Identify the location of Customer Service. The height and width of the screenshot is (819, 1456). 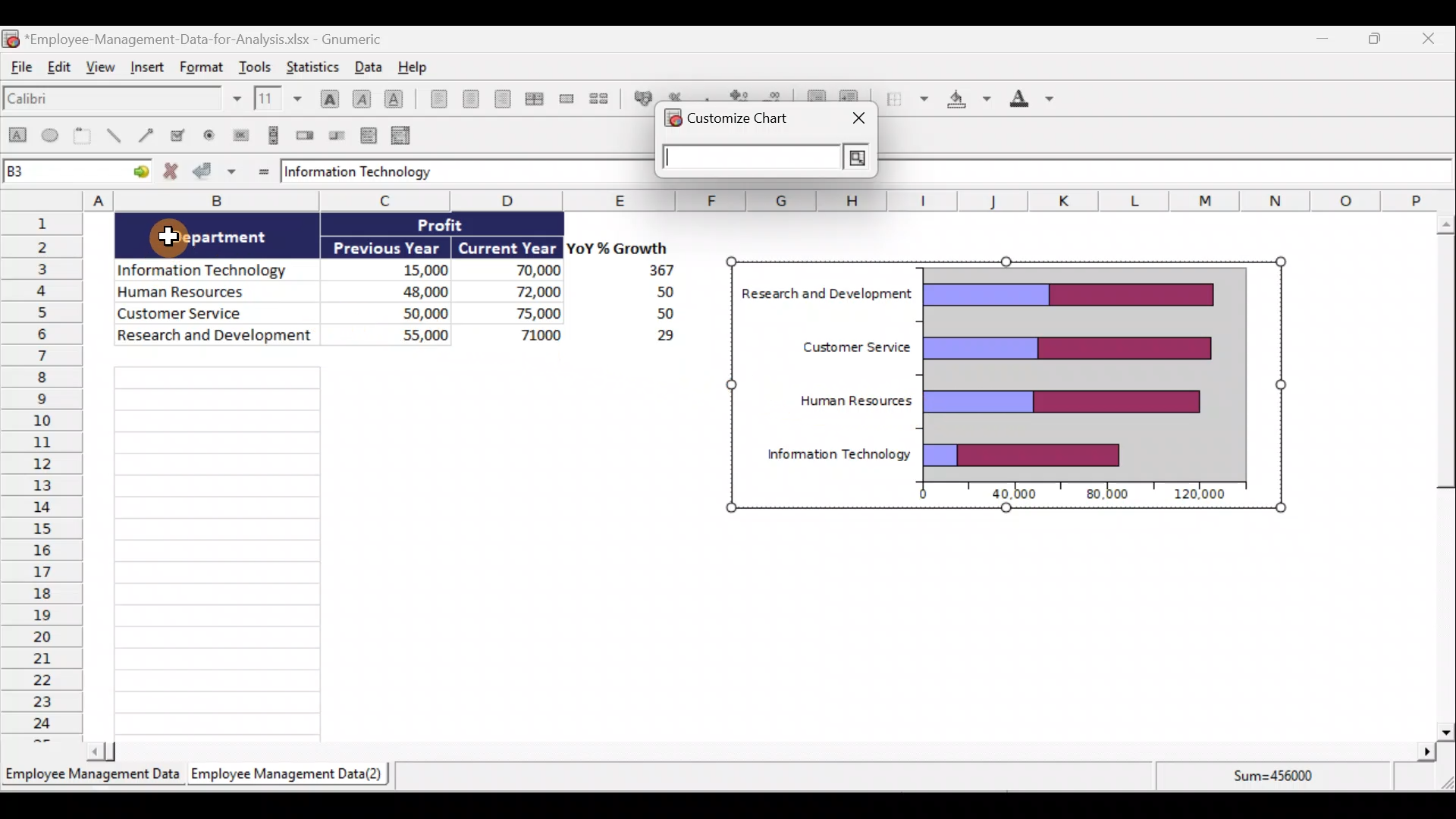
(220, 315).